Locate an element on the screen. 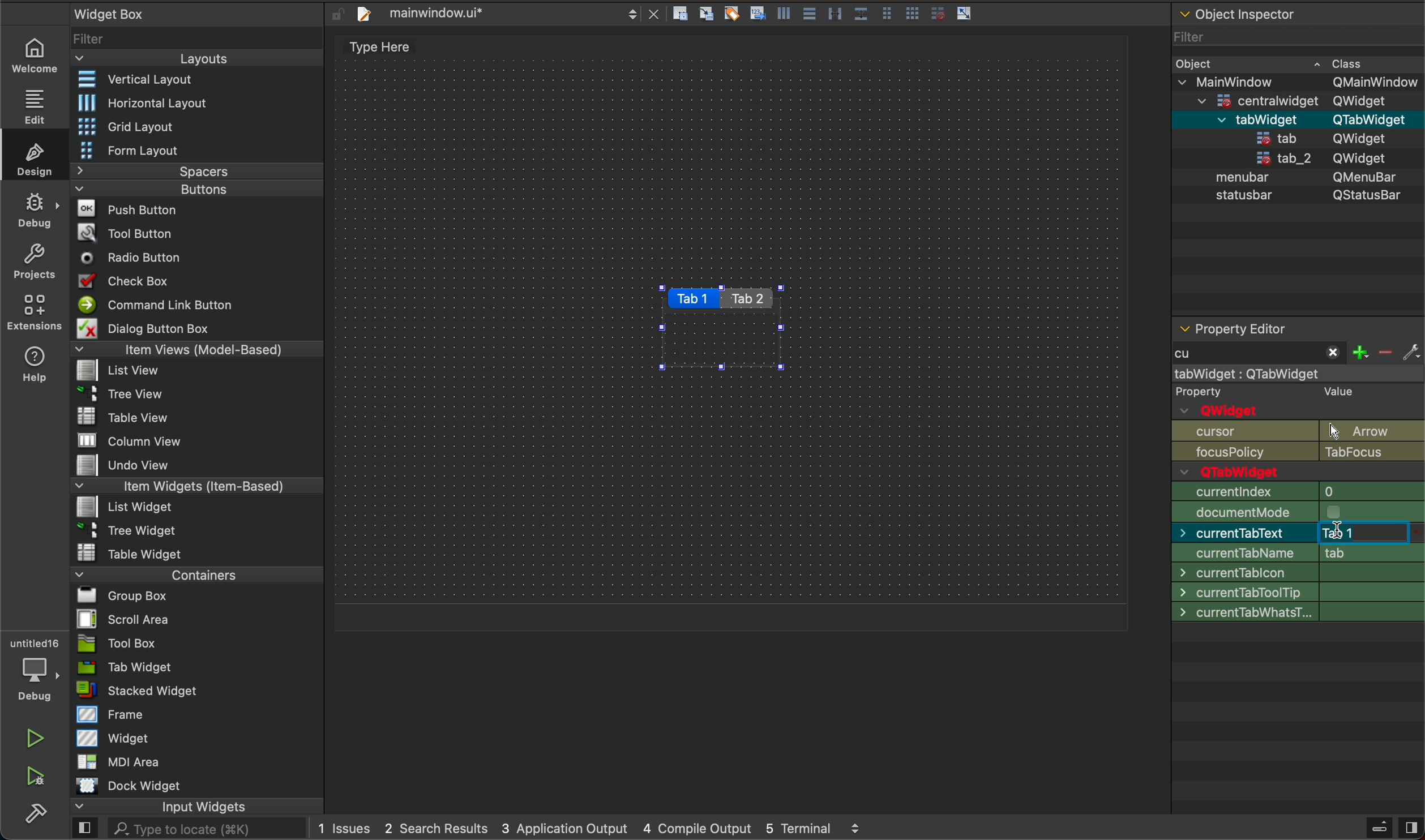 This screenshot has width=1425, height=840. design is located at coordinates (34, 156).